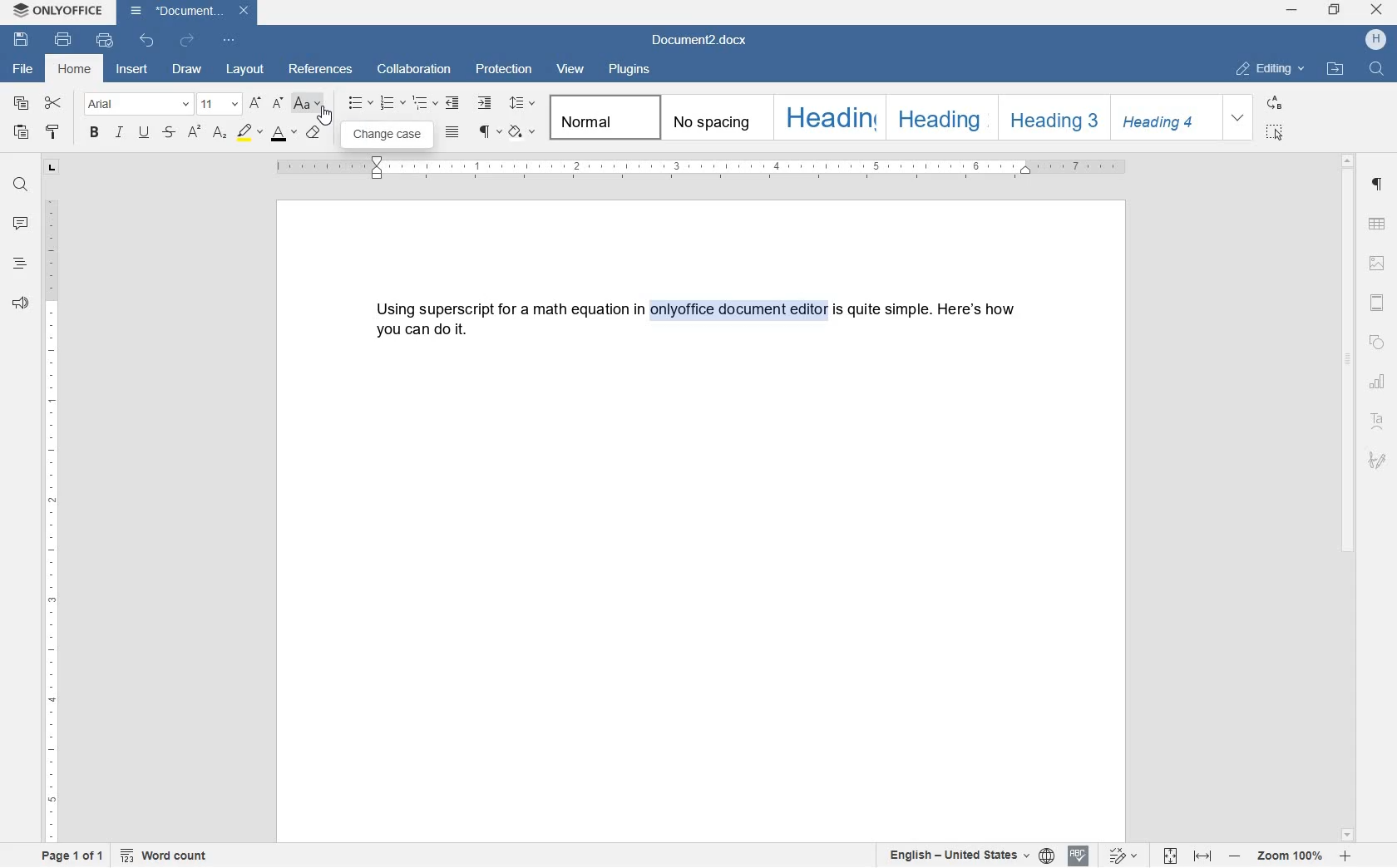  Describe the element at coordinates (135, 68) in the screenshot. I see `insert` at that location.